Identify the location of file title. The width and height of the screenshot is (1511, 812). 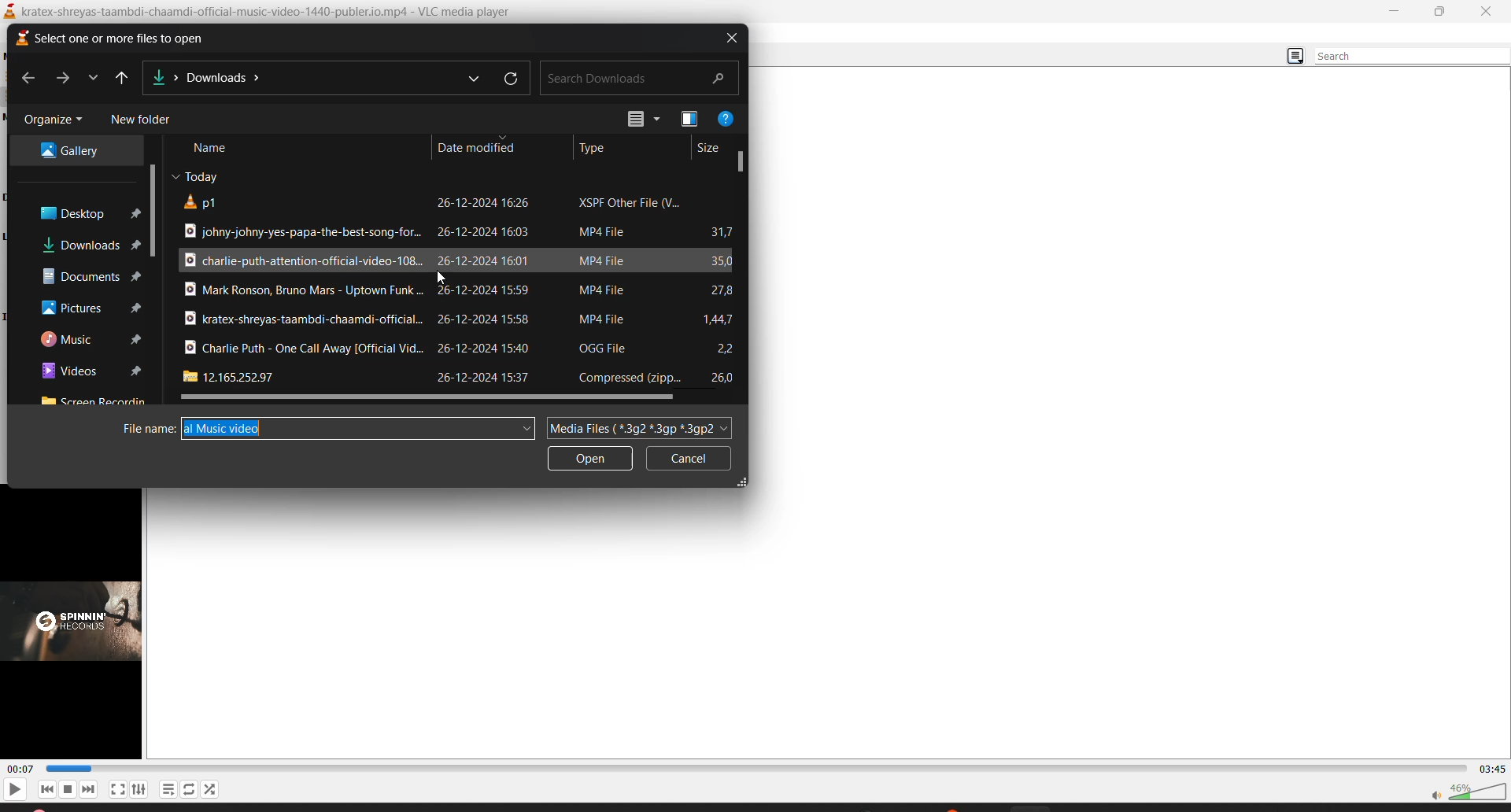
(301, 319).